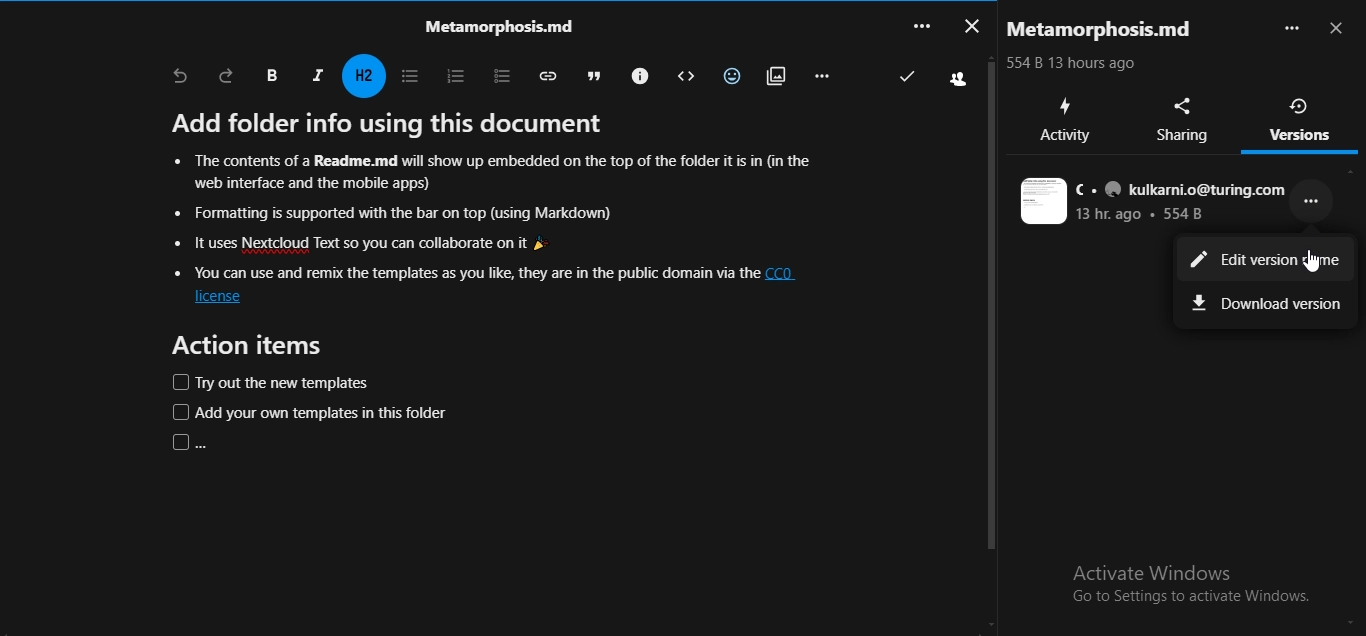  I want to click on correct, so click(905, 77).